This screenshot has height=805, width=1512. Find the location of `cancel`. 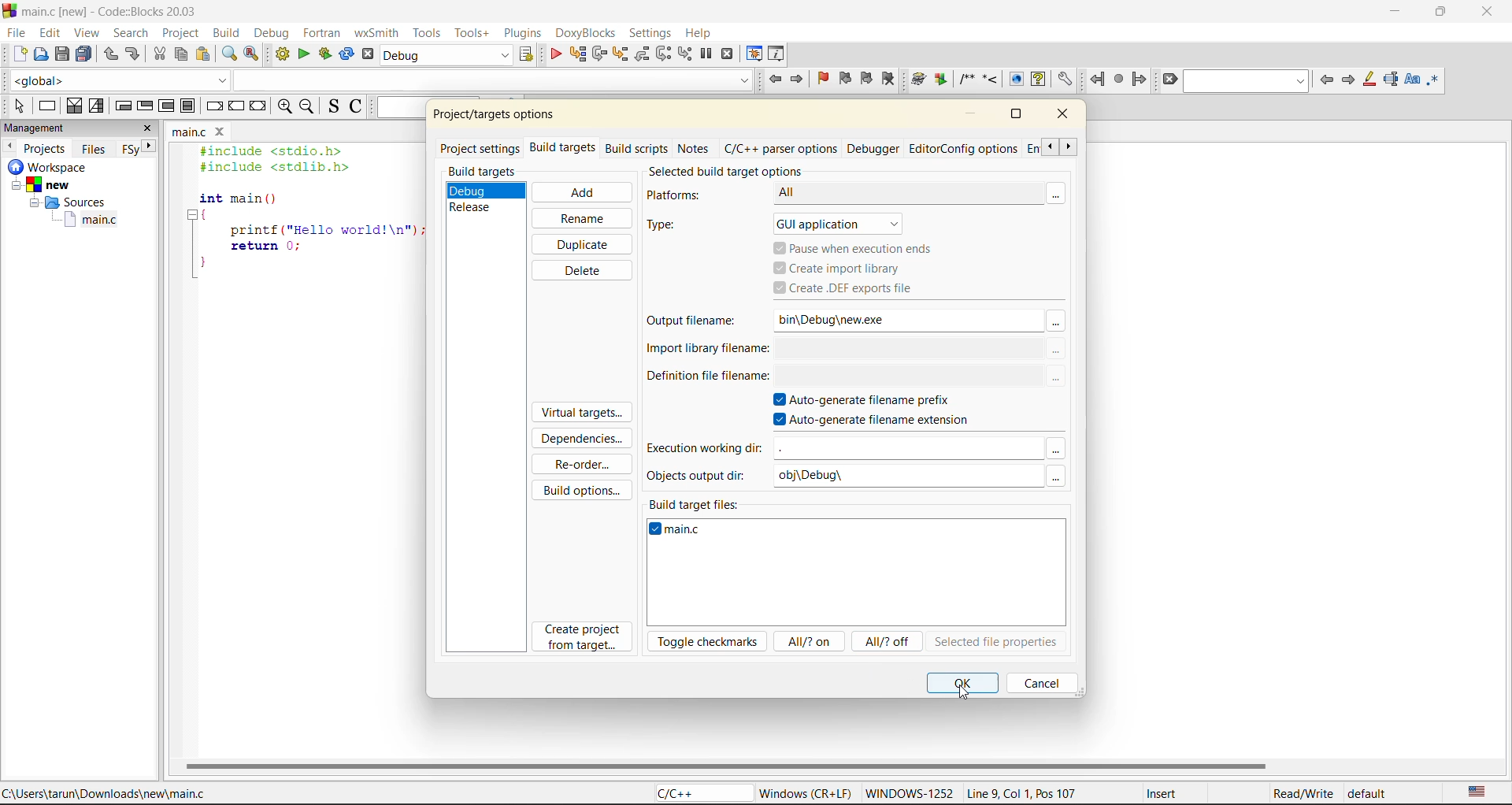

cancel is located at coordinates (1043, 683).